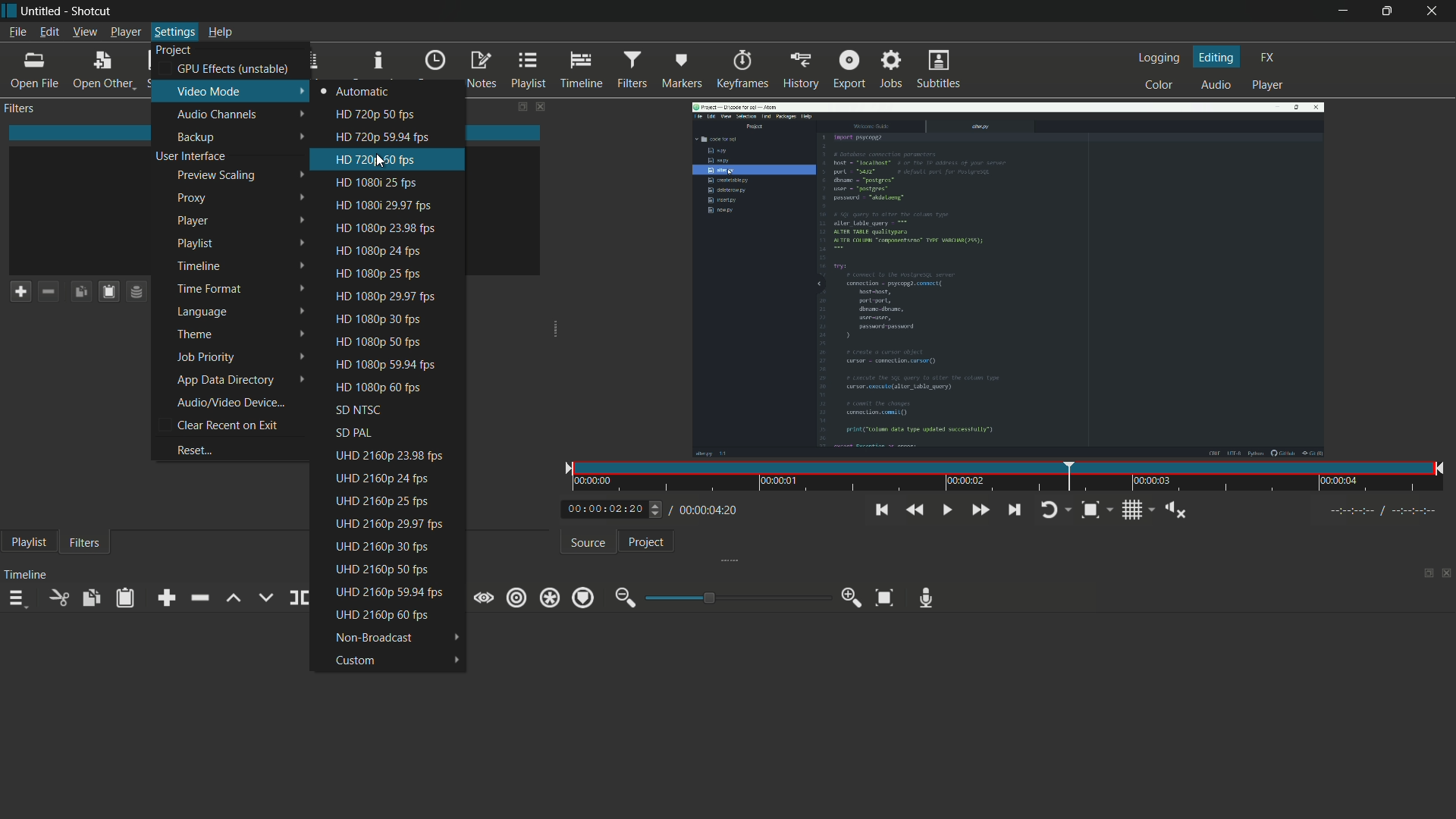  What do you see at coordinates (20, 108) in the screenshot?
I see `filters` at bounding box center [20, 108].